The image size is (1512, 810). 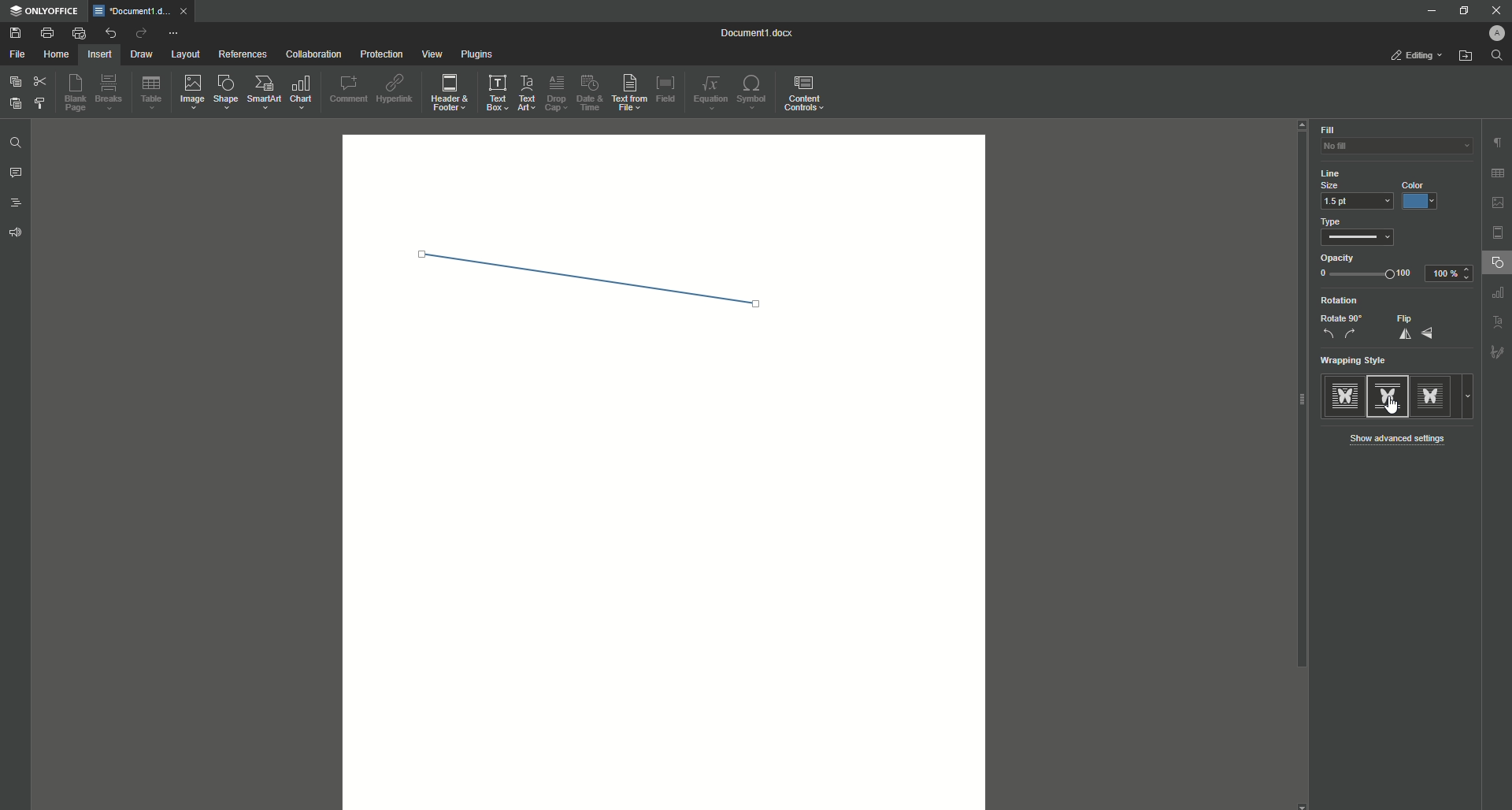 I want to click on Rotate 90%, so click(x=1340, y=327).